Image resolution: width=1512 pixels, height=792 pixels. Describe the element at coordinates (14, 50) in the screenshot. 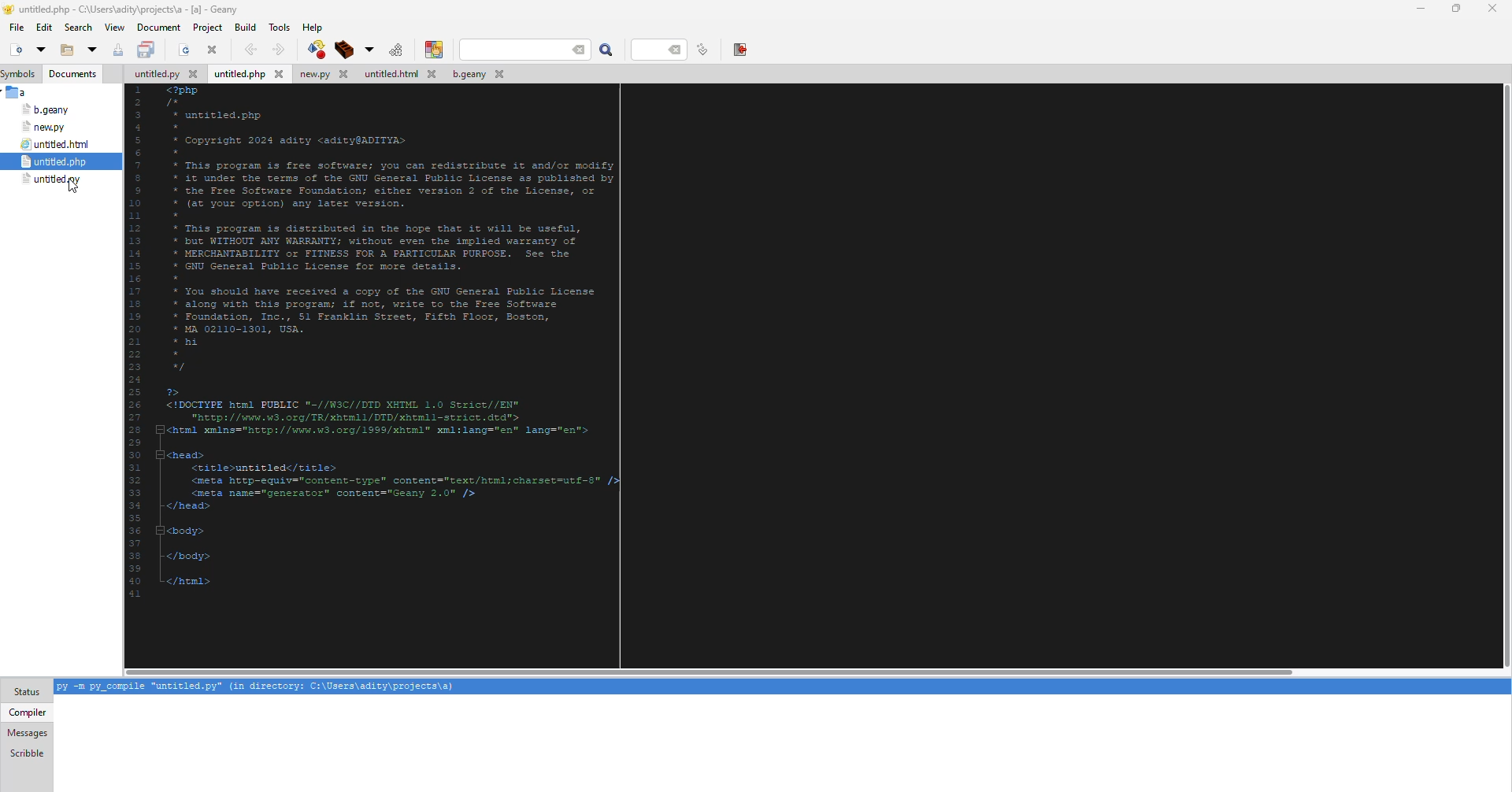

I see `new` at that location.